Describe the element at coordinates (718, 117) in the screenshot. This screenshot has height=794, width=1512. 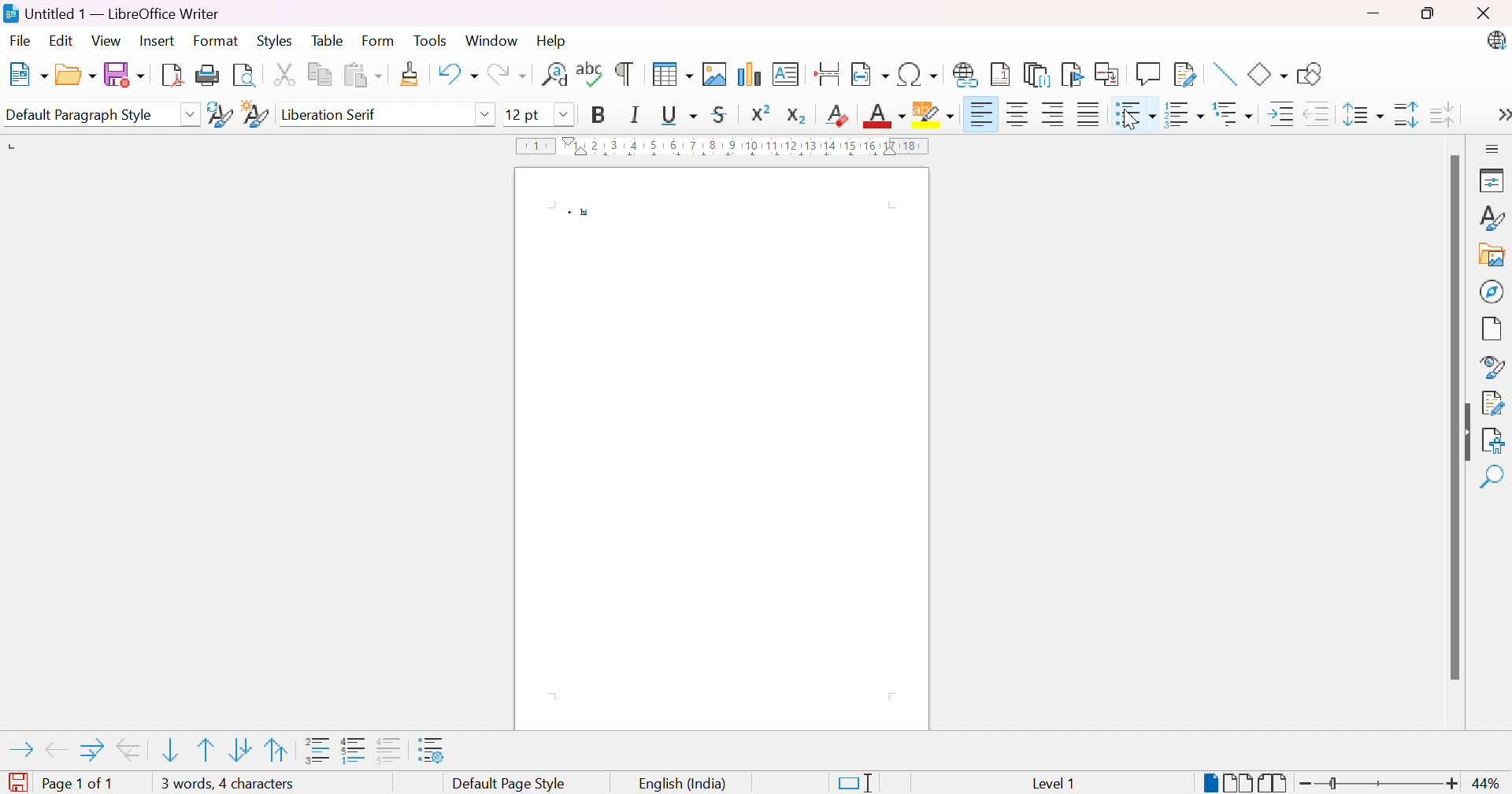
I see `Strikethrough` at that location.